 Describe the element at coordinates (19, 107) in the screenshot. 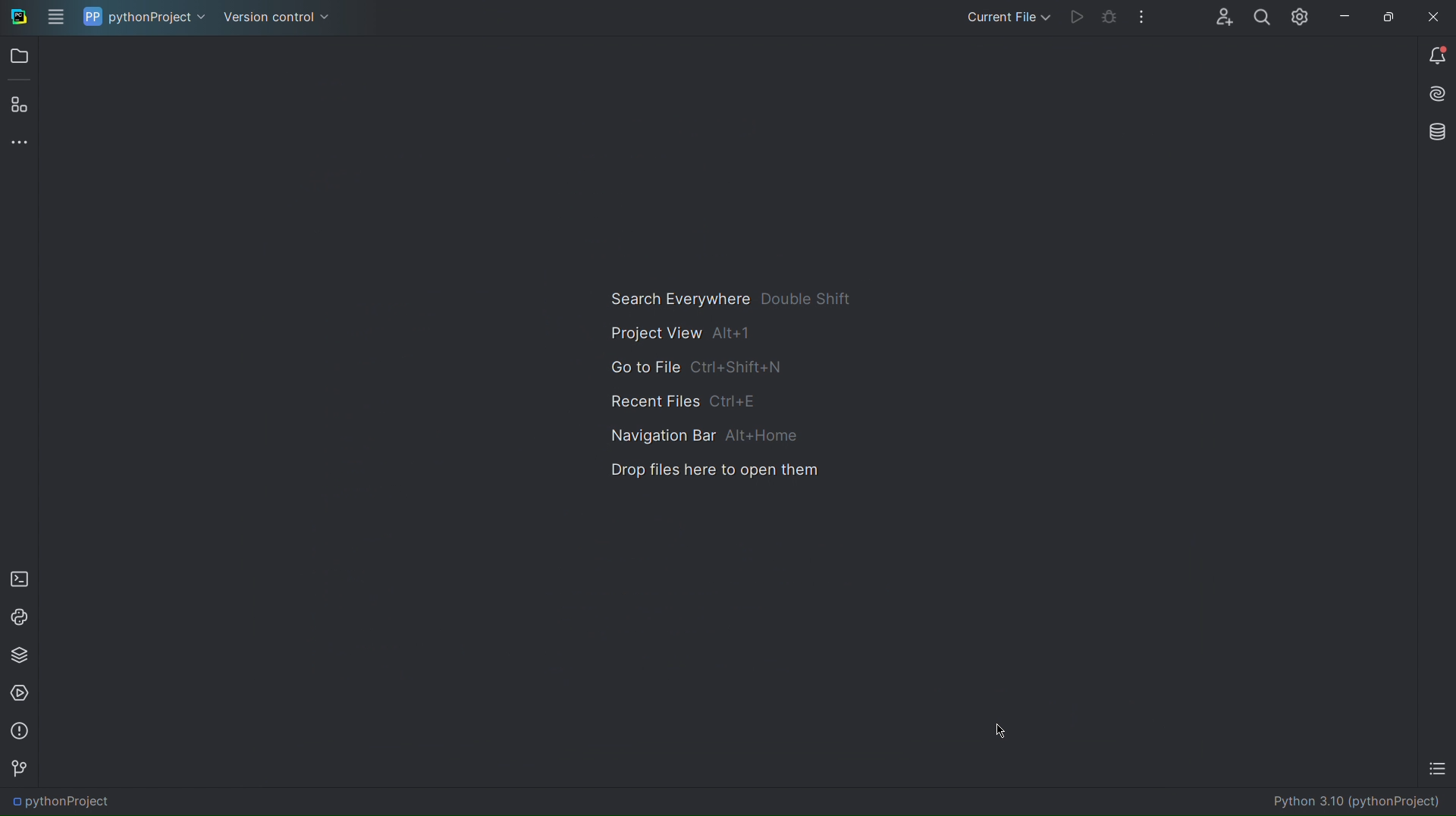

I see `Plugins` at that location.